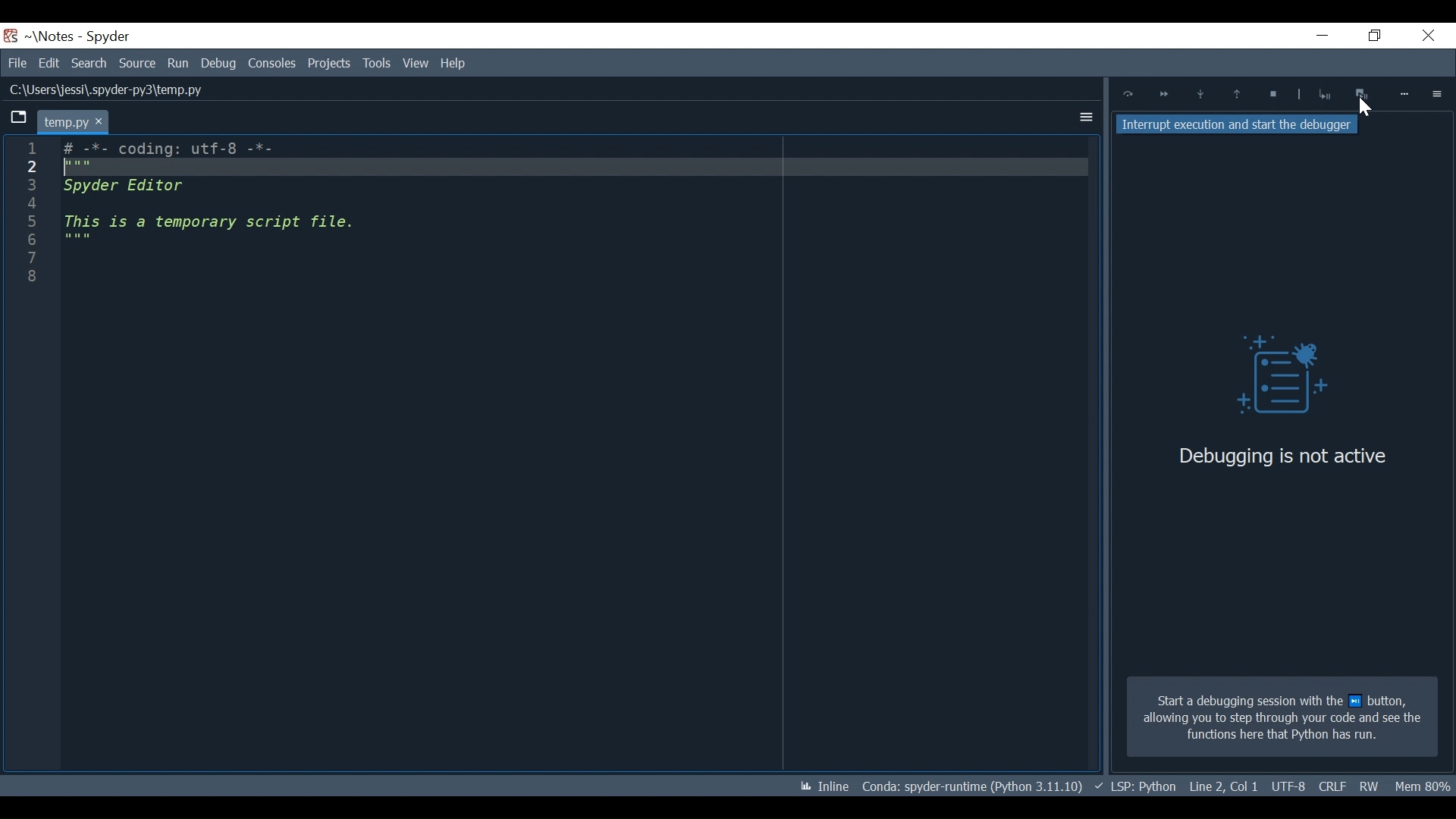  What do you see at coordinates (1360, 93) in the screenshot?
I see `Interrupt execution and start the debugger` at bounding box center [1360, 93].